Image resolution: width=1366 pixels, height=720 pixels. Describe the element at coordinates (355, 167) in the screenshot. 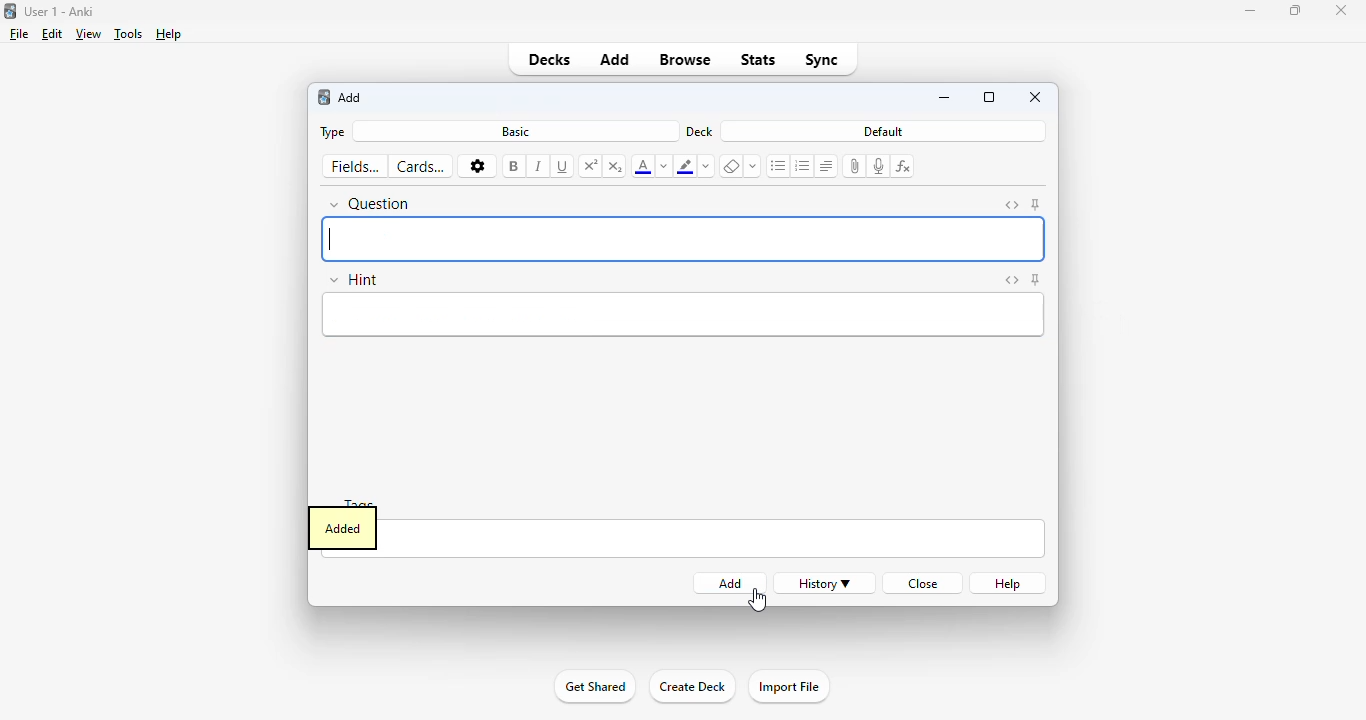

I see `fields` at that location.